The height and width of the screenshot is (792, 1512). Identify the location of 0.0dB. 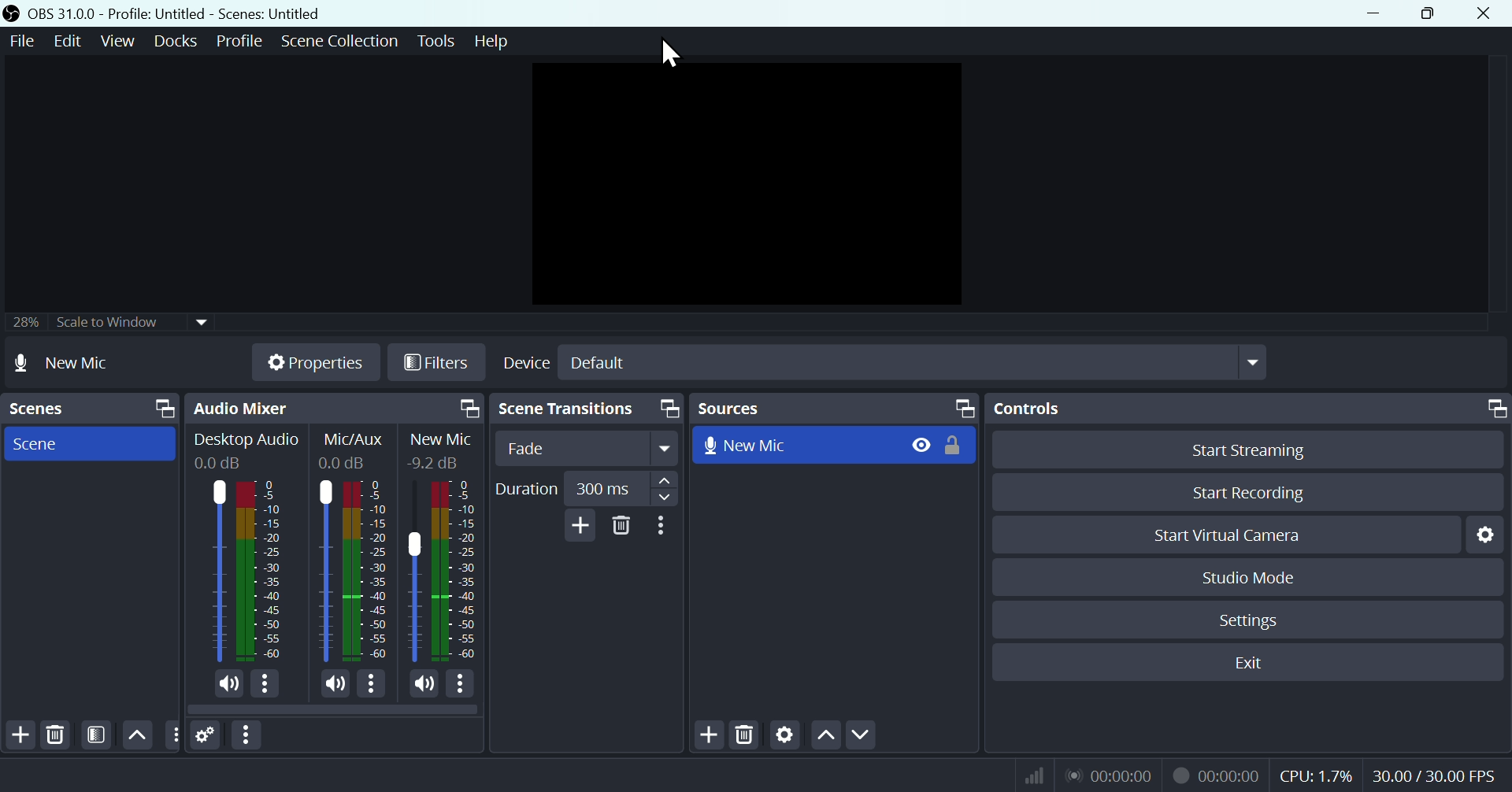
(345, 463).